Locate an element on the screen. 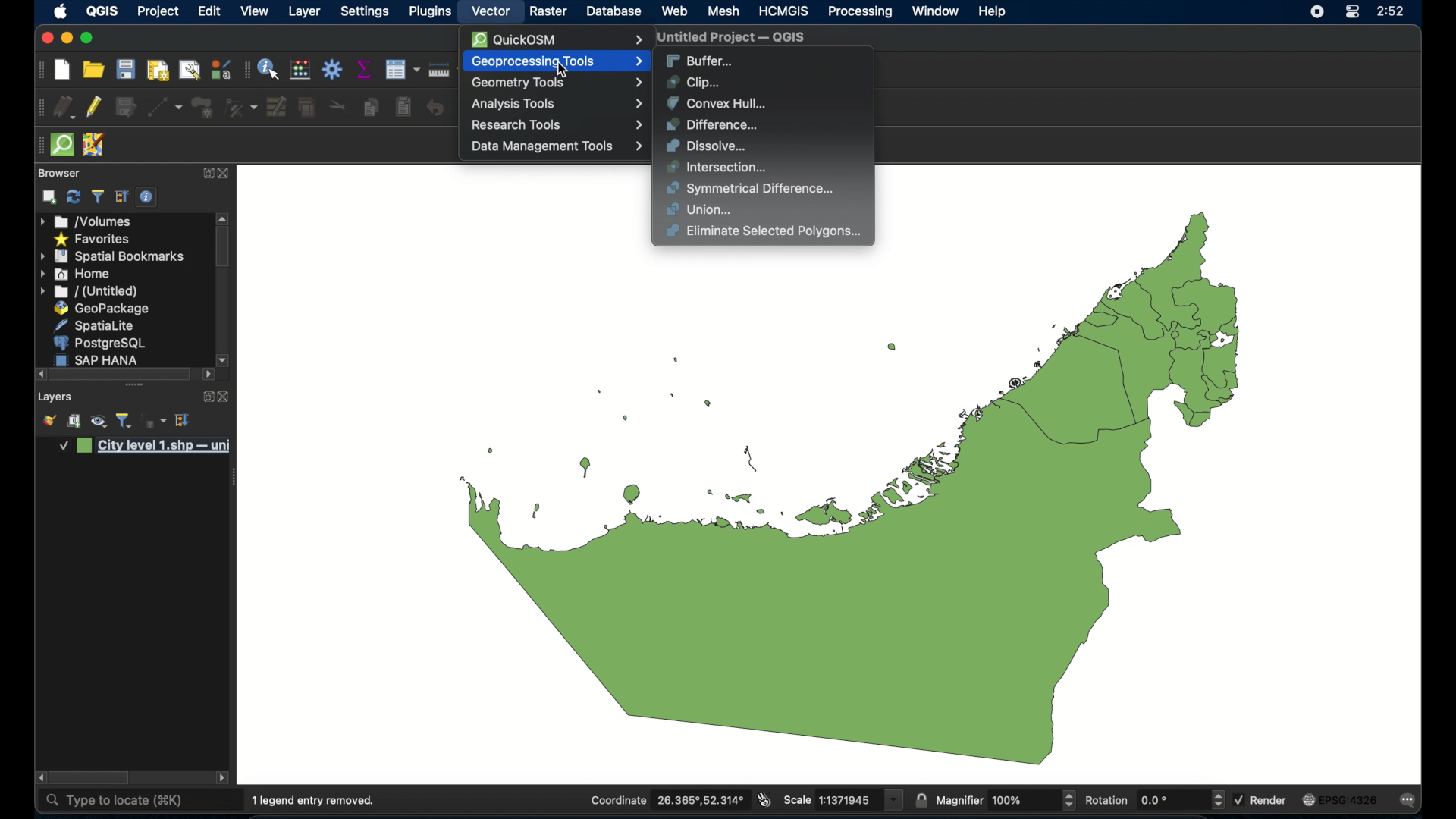 The image size is (1456, 819). open attribute table is located at coordinates (402, 69).